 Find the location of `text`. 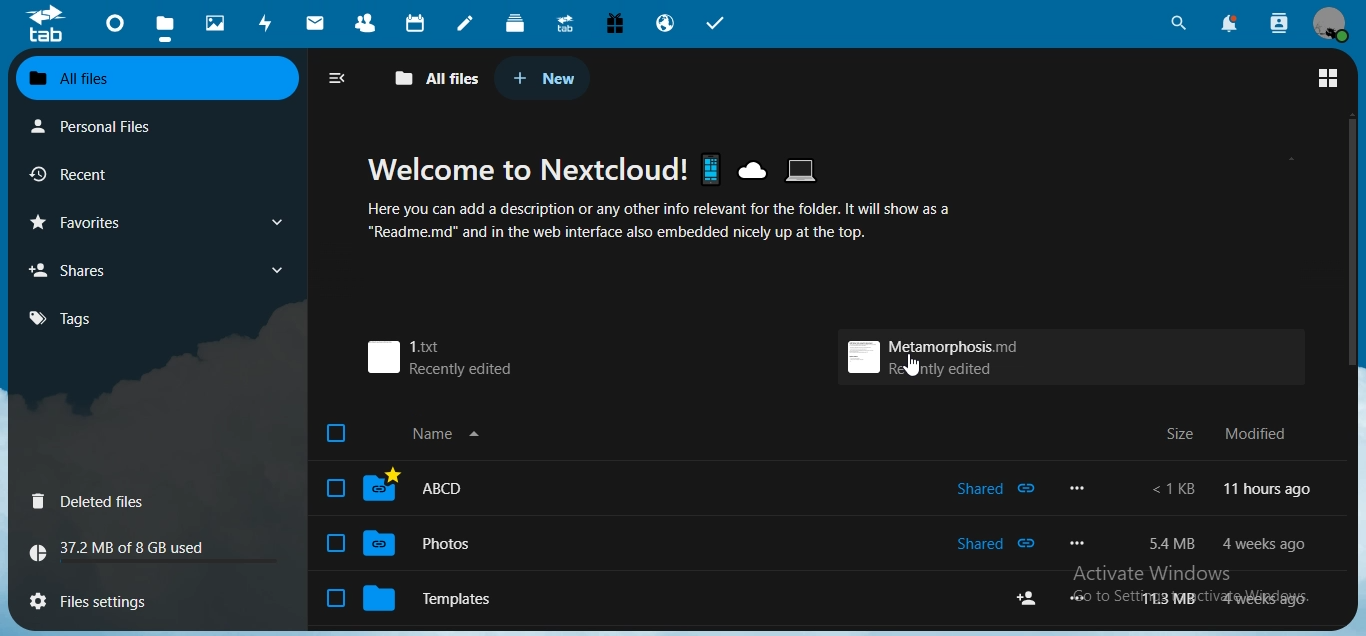

text is located at coordinates (1231, 491).